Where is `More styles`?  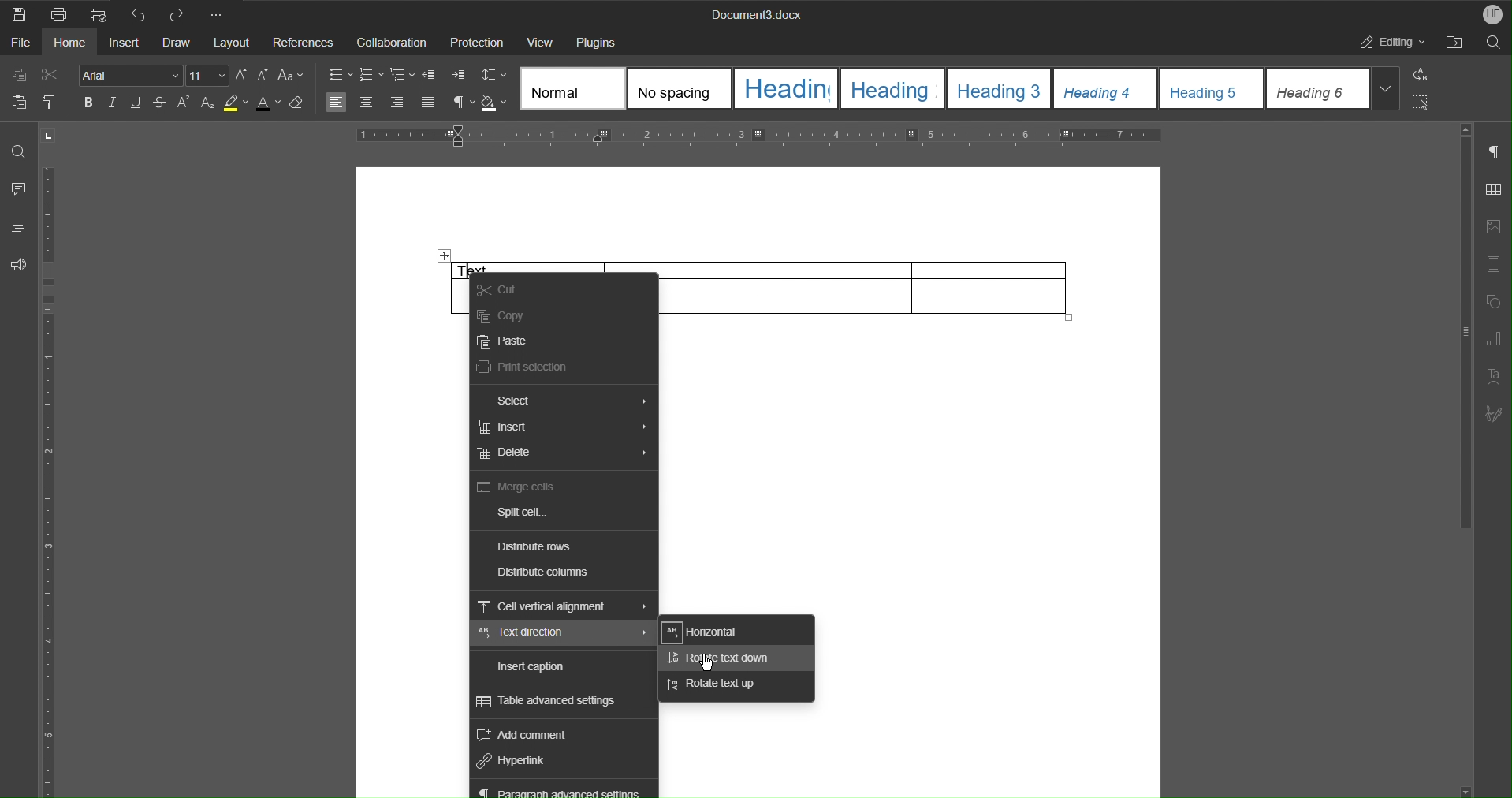 More styles is located at coordinates (1387, 88).